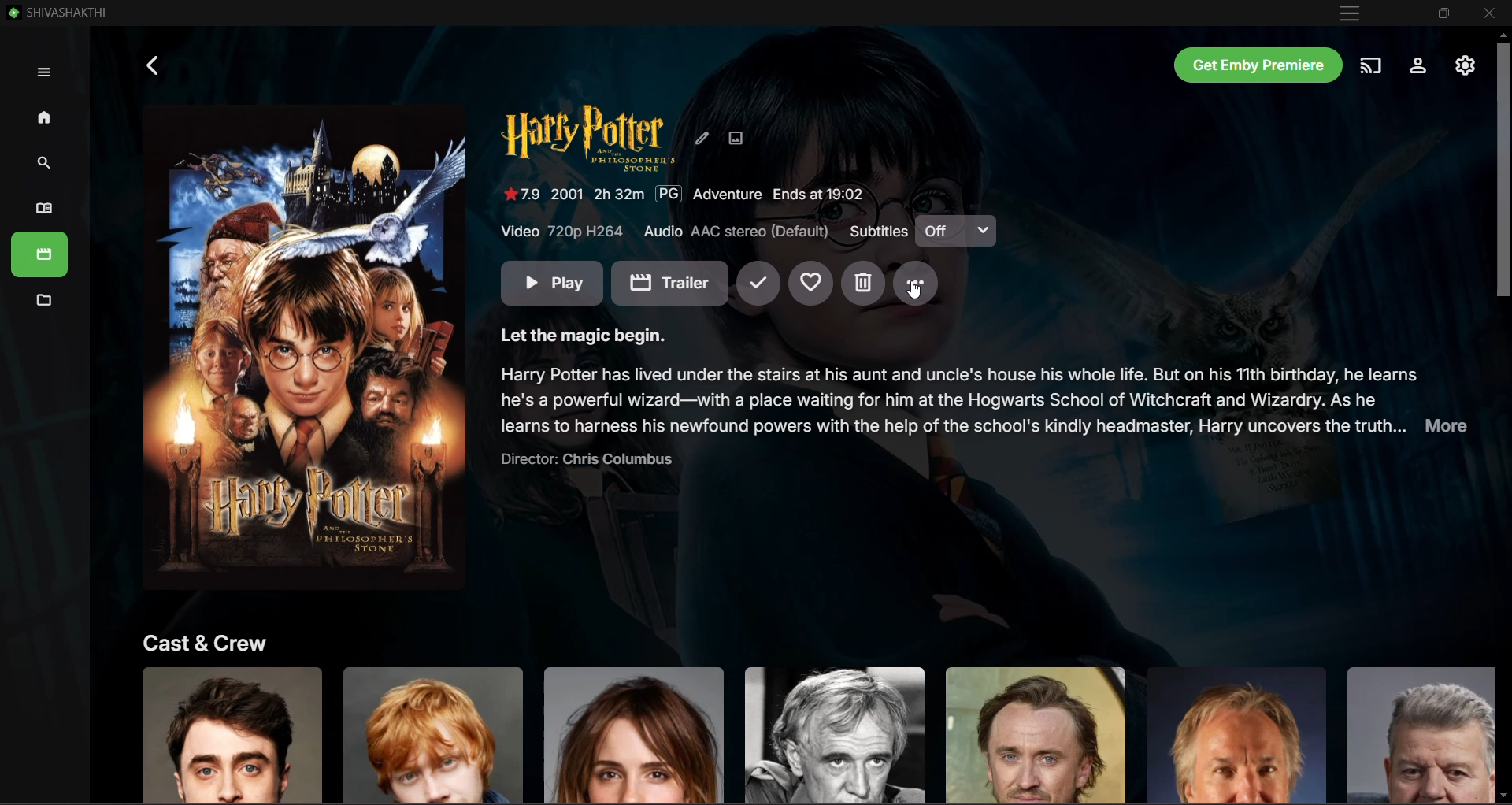 Image resolution: width=1512 pixels, height=805 pixels. Describe the element at coordinates (702, 137) in the screenshot. I see `Edit Metadata` at that location.